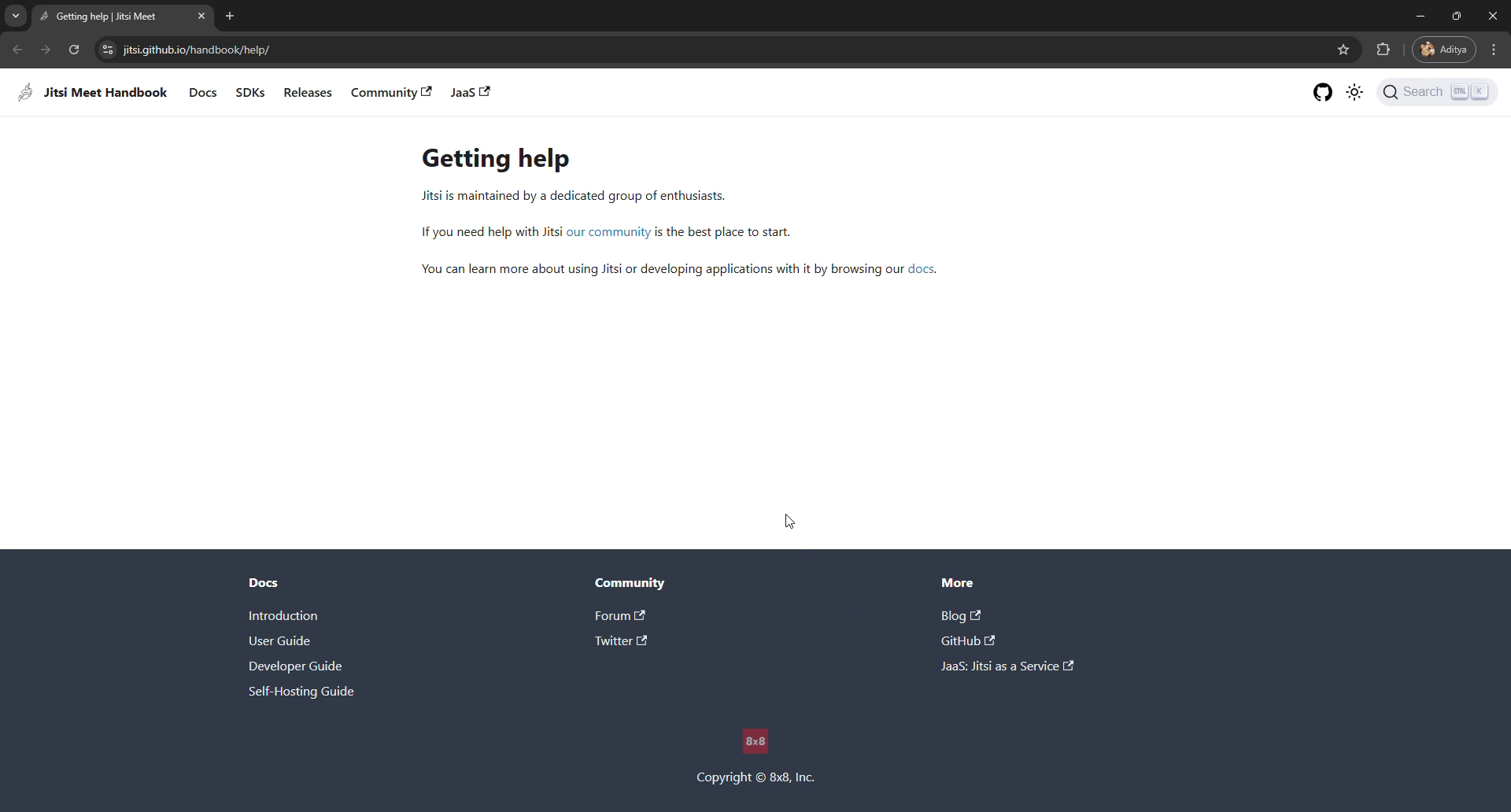 This screenshot has width=1511, height=812. Describe the element at coordinates (683, 271) in the screenshot. I see `You can learn more about using Jitsi or developing applications with it by browsing our docs.` at that location.